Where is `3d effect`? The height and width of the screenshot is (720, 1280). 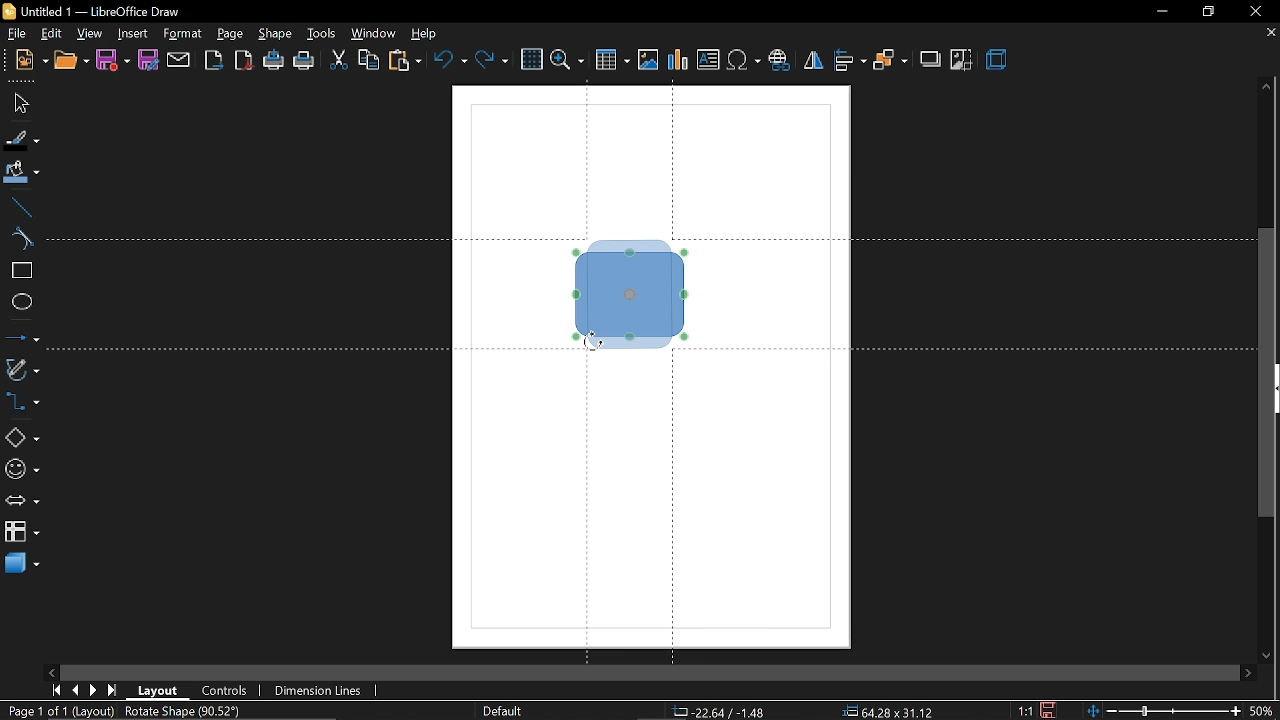 3d effect is located at coordinates (1000, 60).